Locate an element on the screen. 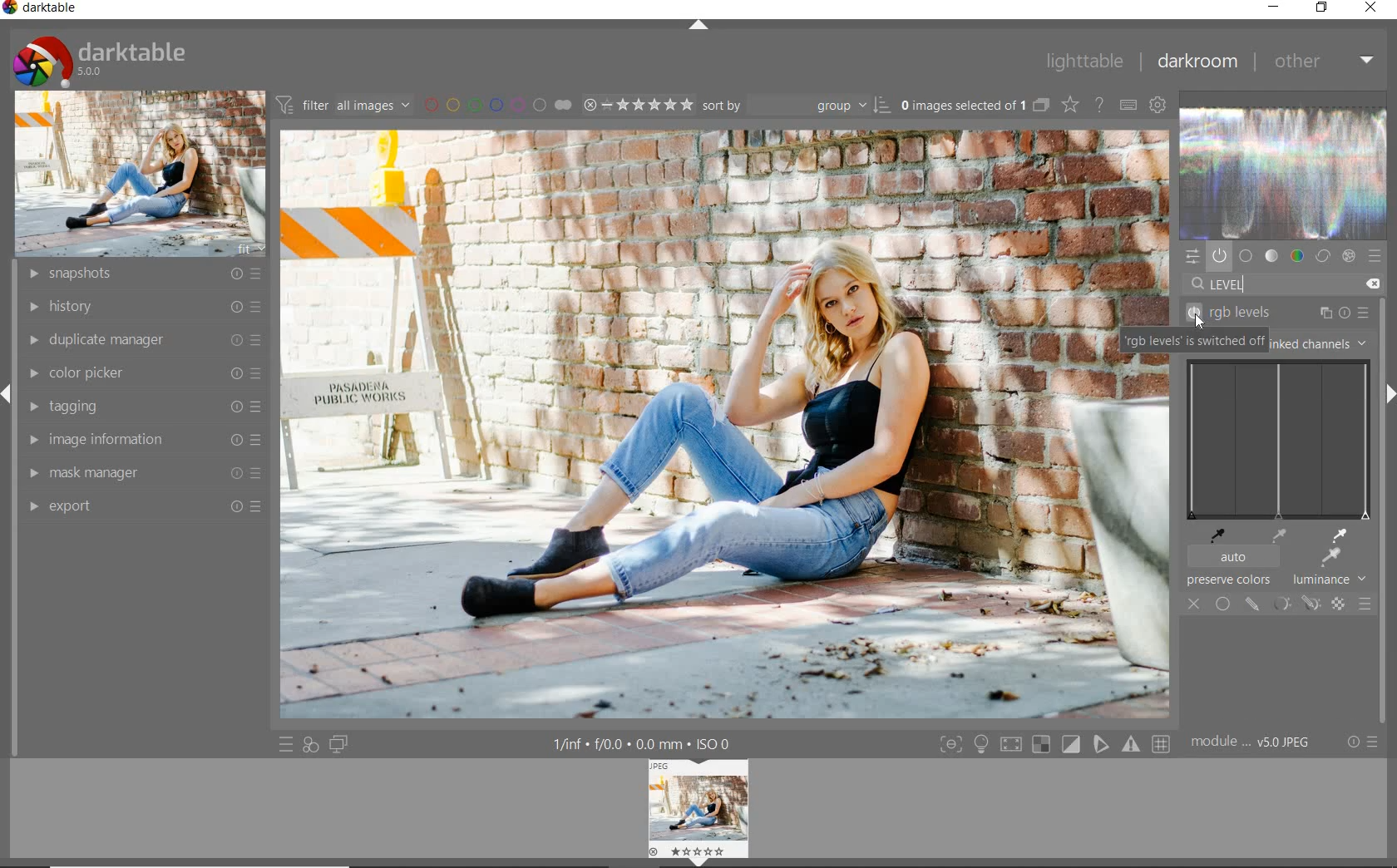  selected images is located at coordinates (961, 106).